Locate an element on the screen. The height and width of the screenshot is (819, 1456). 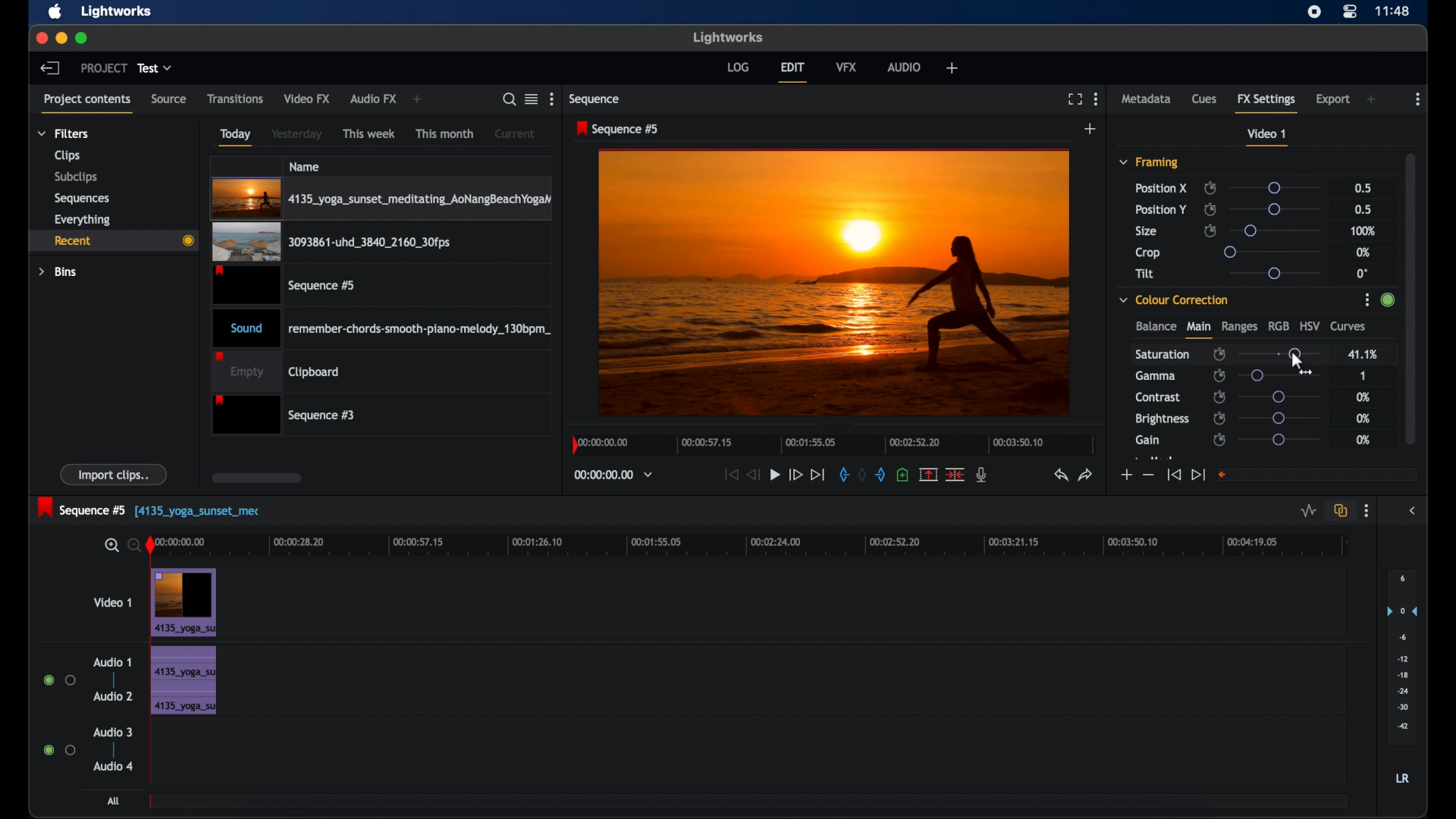
subclips is located at coordinates (74, 178).